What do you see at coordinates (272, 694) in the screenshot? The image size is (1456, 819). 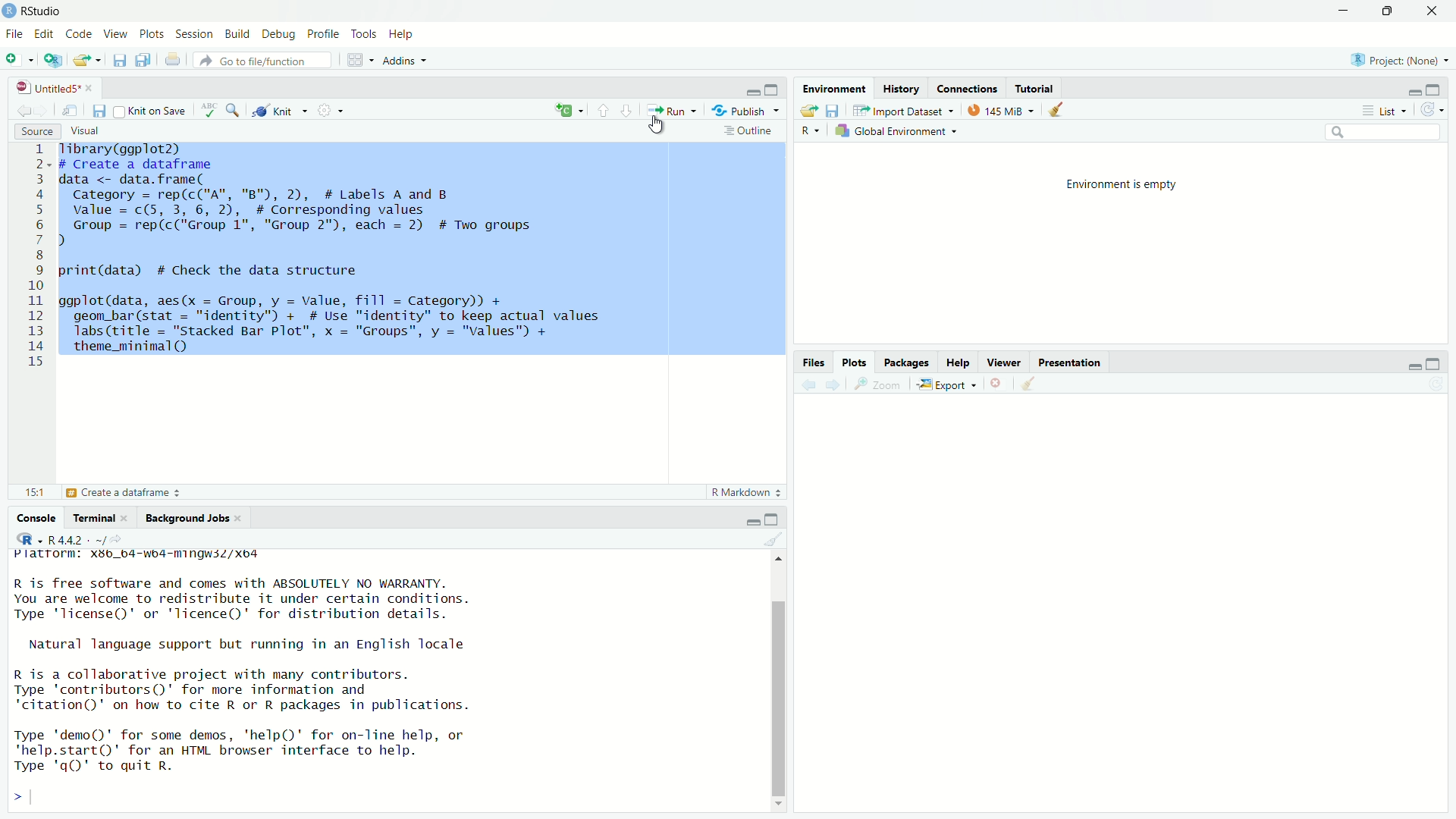 I see `R is free software and comes with ABSOLUTELY NO WARRANTY.

You are welcome to redistribute it under certain conditions.

Type "license" or 'licence()' for distribution details.
Natural language support but running in an English locale

R is a collaborative project with many contributors.

Type 'contributors()' for more information and

'citation()' on how to cite R or R packages in publications.

Type 'demo()' for some demos, 'help()' for on-line help, or

*help.start()' for an HTML browser interface to help.

Type 'gQ' to quit R.

>` at bounding box center [272, 694].